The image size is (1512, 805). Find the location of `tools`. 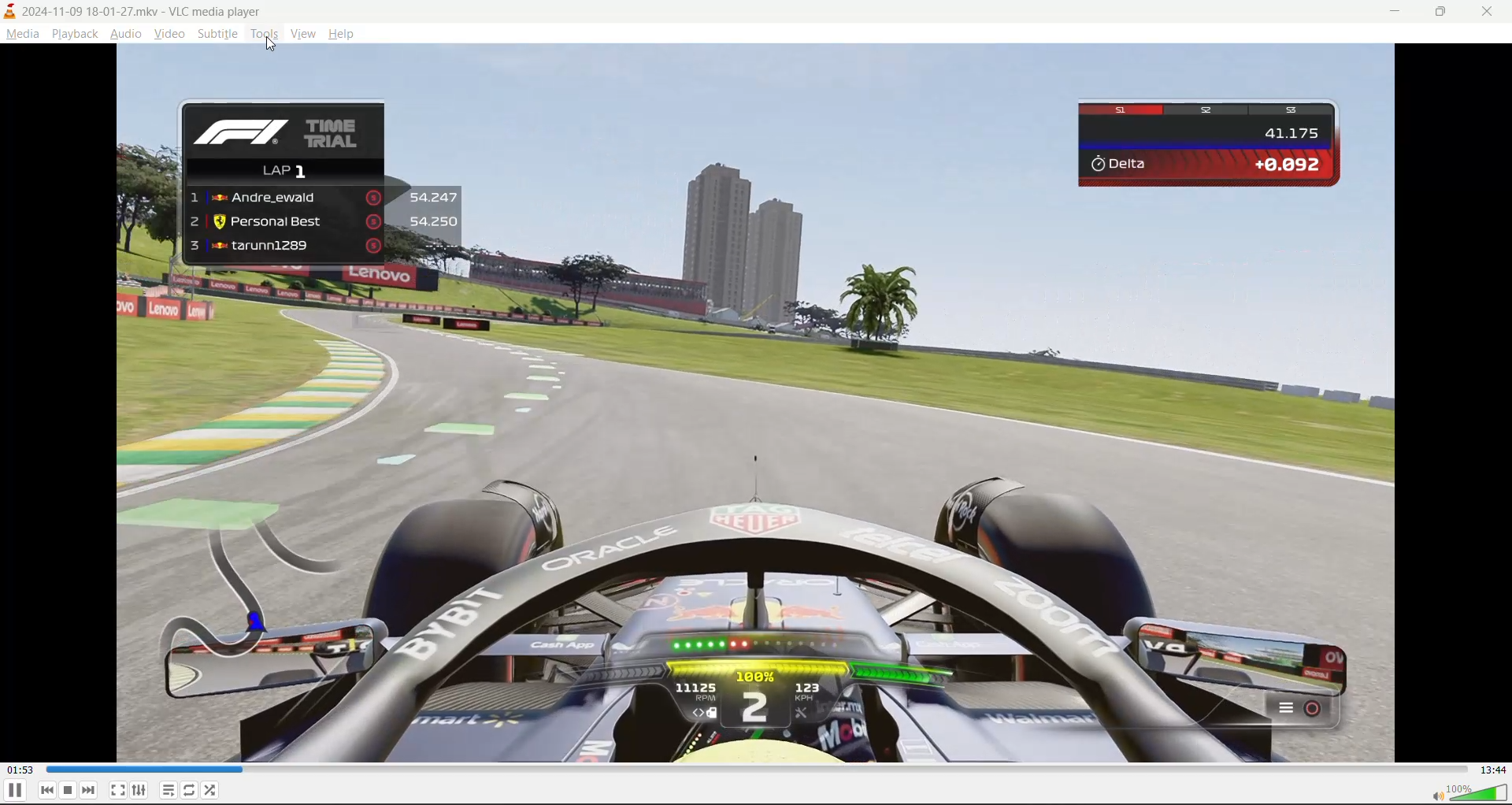

tools is located at coordinates (265, 36).